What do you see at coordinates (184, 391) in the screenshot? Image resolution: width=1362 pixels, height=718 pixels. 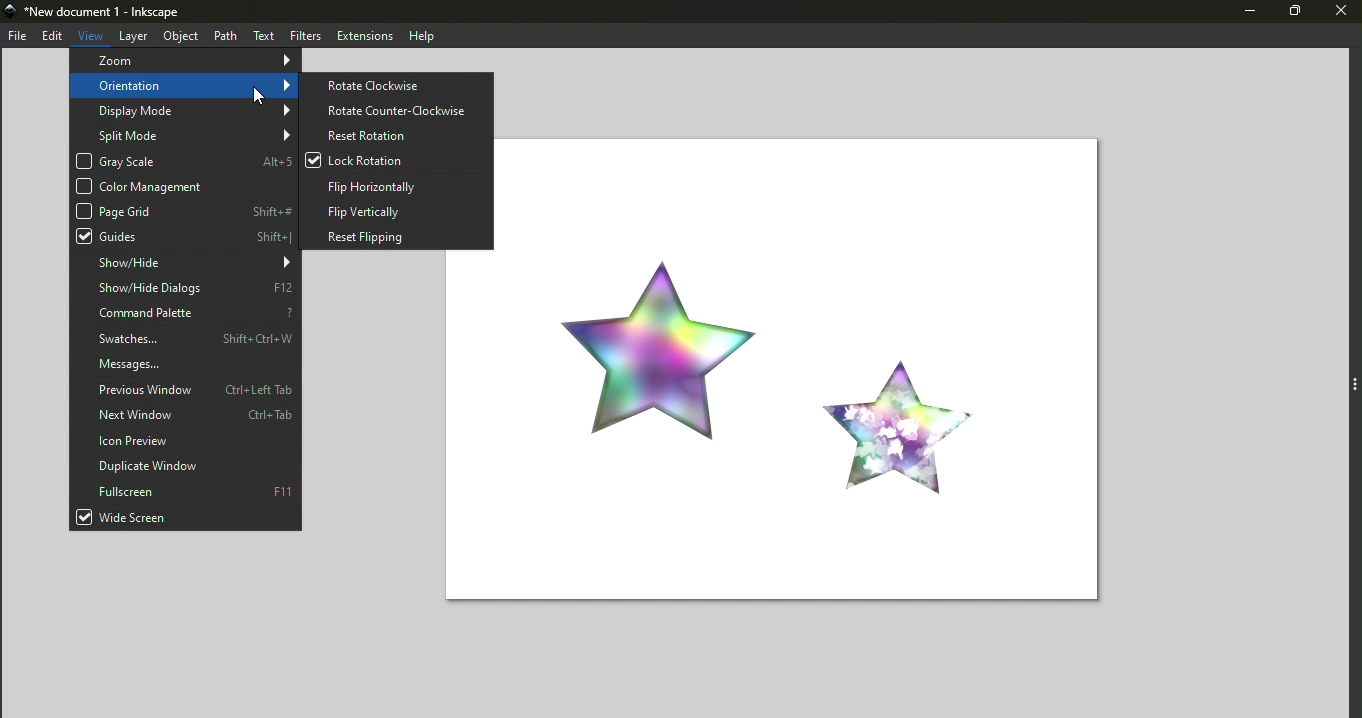 I see `Previous windows` at bounding box center [184, 391].